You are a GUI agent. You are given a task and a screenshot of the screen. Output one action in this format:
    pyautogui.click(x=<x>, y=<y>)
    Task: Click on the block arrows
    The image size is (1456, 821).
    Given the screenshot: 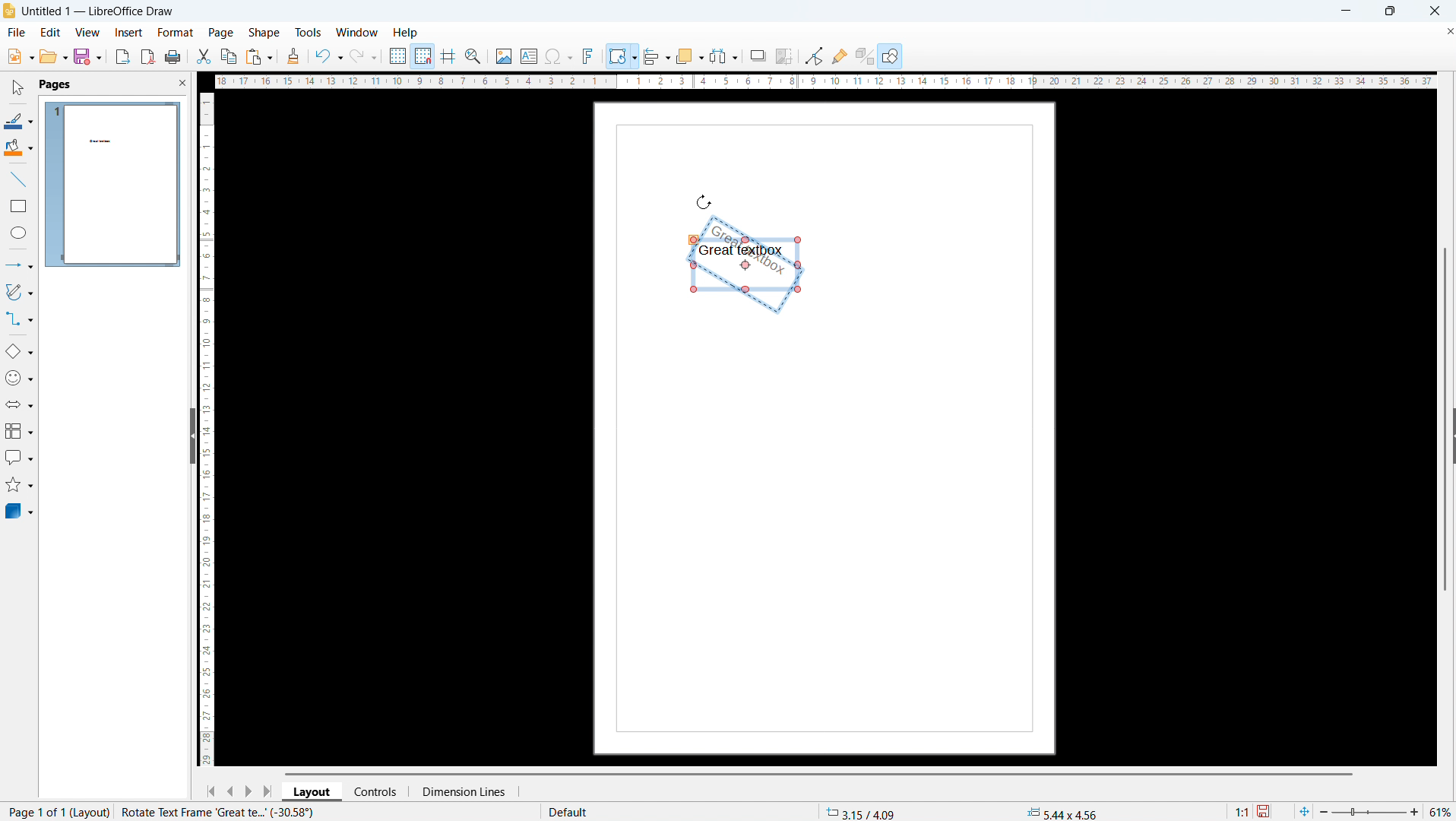 What is the action you would take?
    pyautogui.click(x=19, y=404)
    